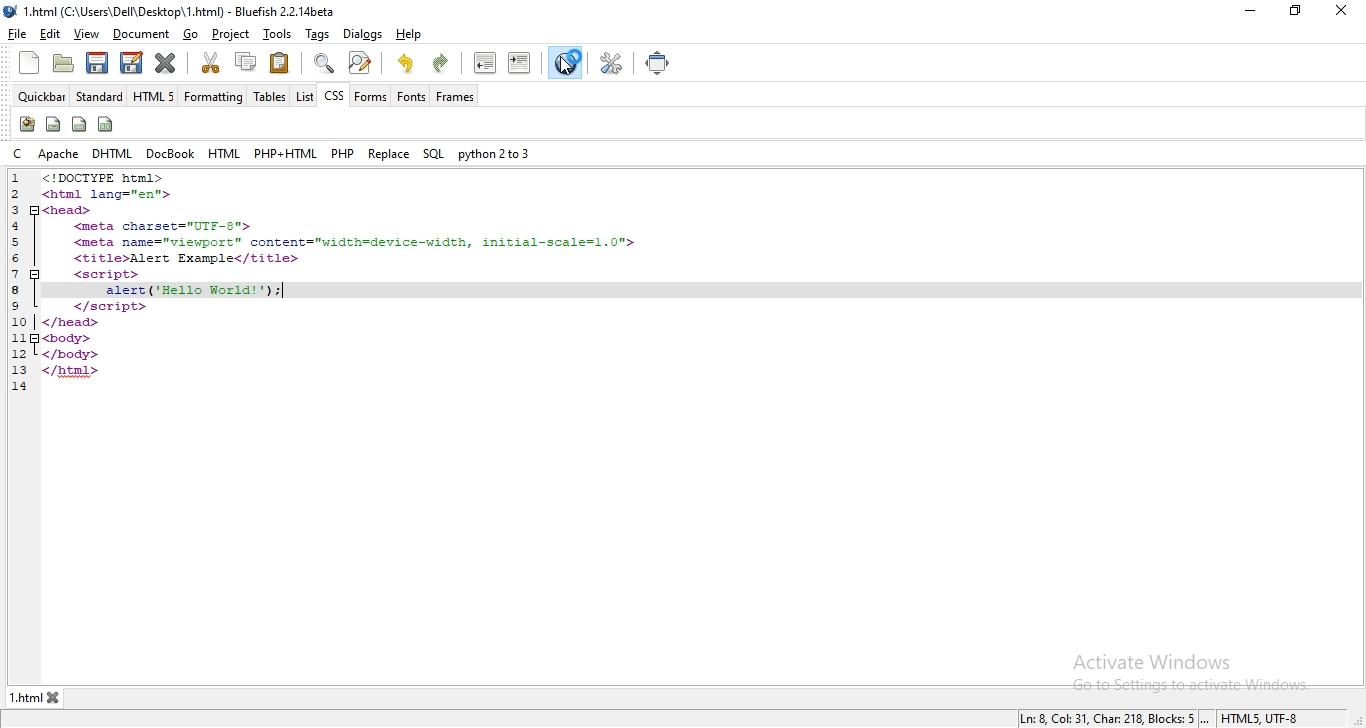  What do you see at coordinates (194, 290) in the screenshot?
I see `added function "alert ('Hello World!'):;"` at bounding box center [194, 290].